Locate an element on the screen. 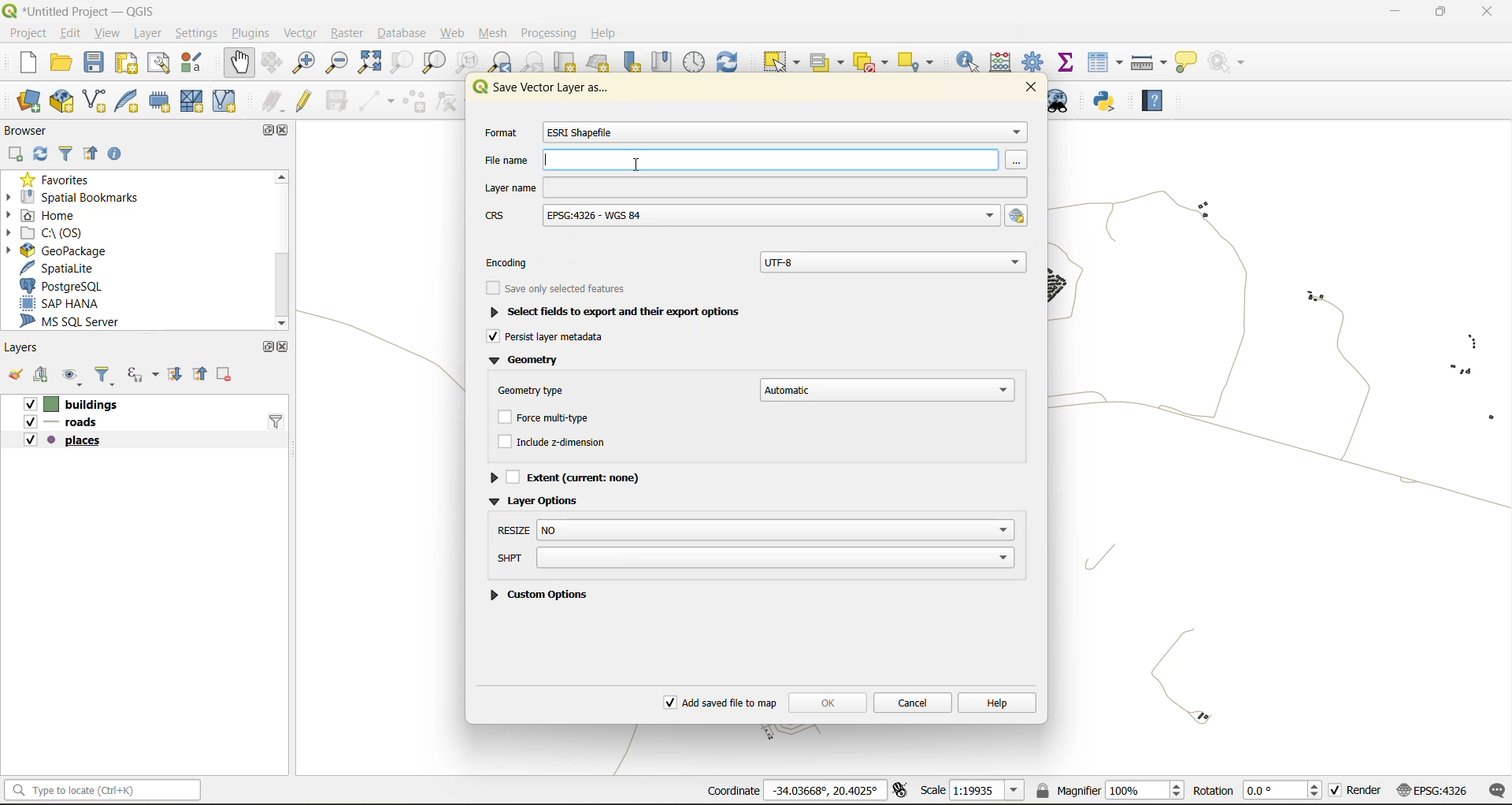  Layer option is located at coordinates (550, 499).